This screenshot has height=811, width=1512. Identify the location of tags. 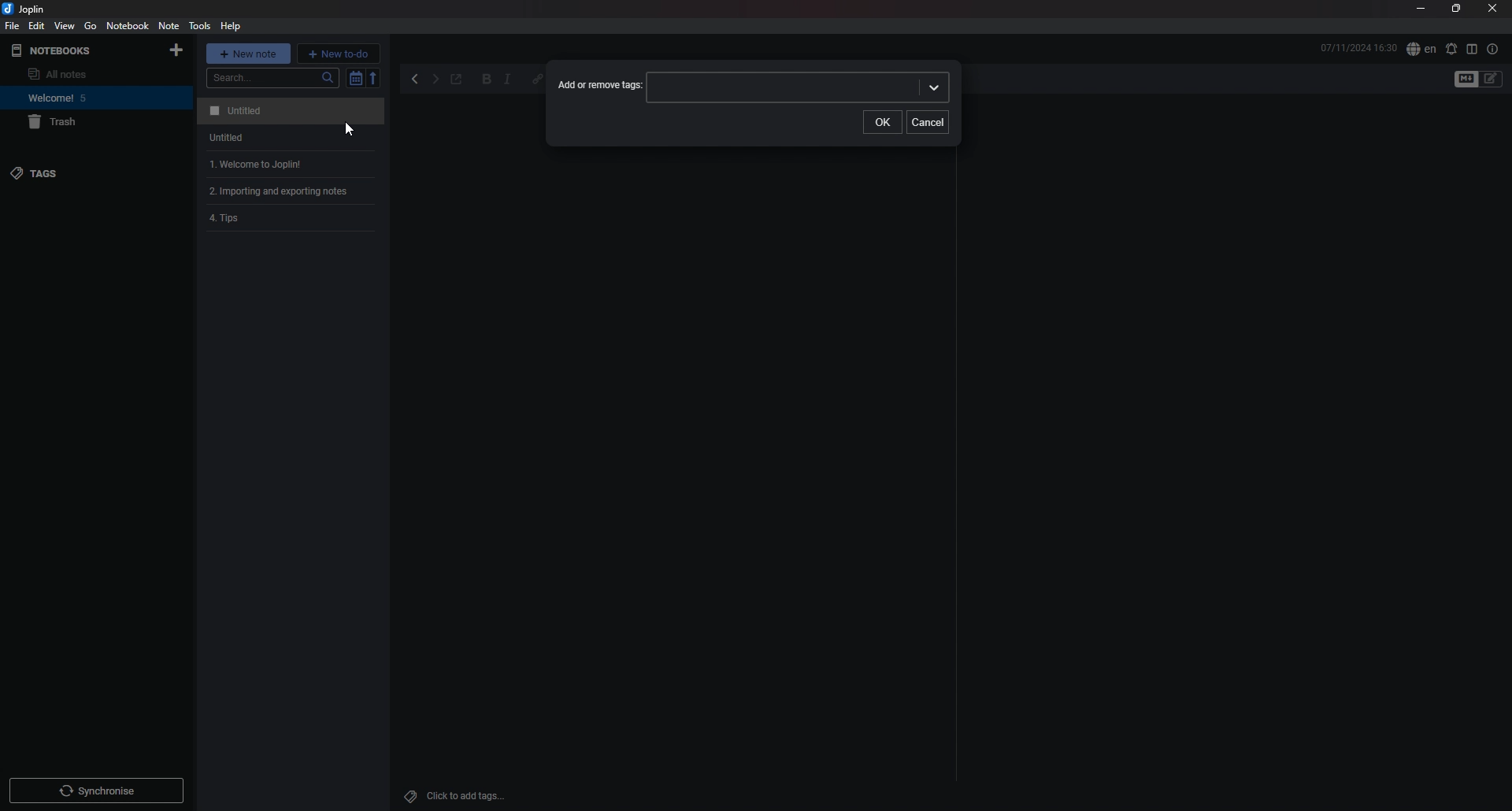
(76, 172).